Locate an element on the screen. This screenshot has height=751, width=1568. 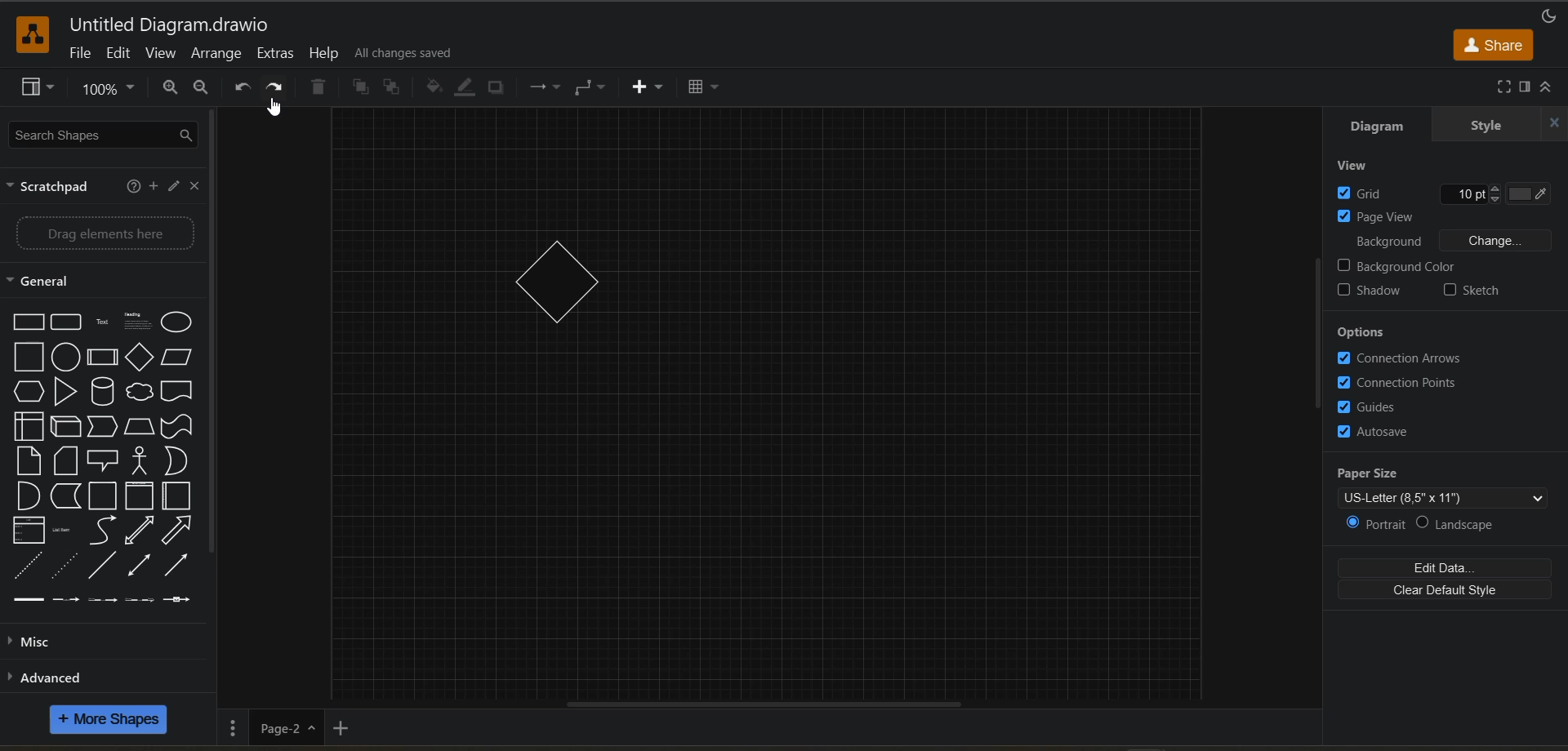
bidirectional connector is located at coordinates (138, 566).